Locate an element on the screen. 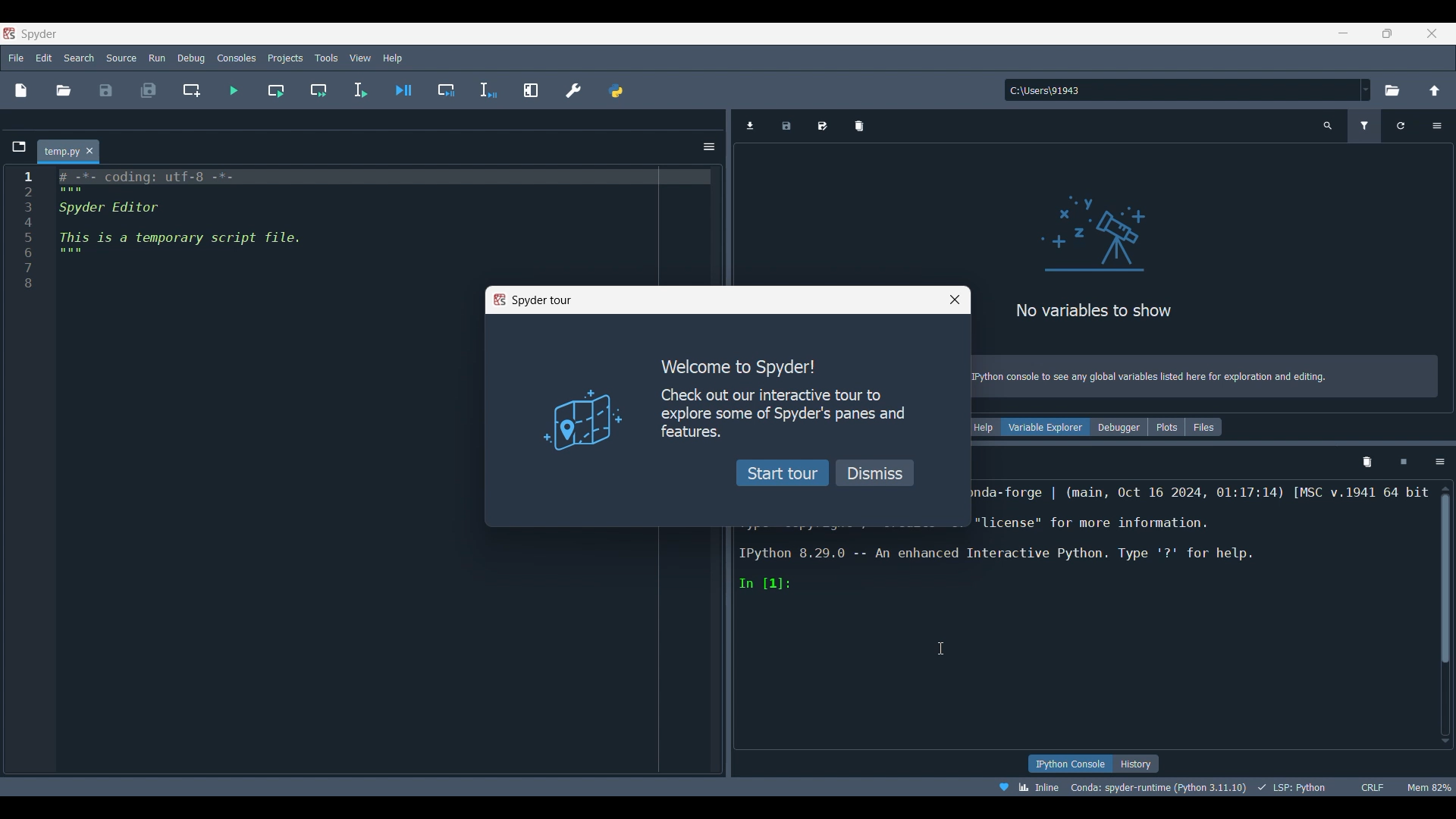 This screenshot has height=819, width=1456. Interrupt kernel is located at coordinates (1404, 127).